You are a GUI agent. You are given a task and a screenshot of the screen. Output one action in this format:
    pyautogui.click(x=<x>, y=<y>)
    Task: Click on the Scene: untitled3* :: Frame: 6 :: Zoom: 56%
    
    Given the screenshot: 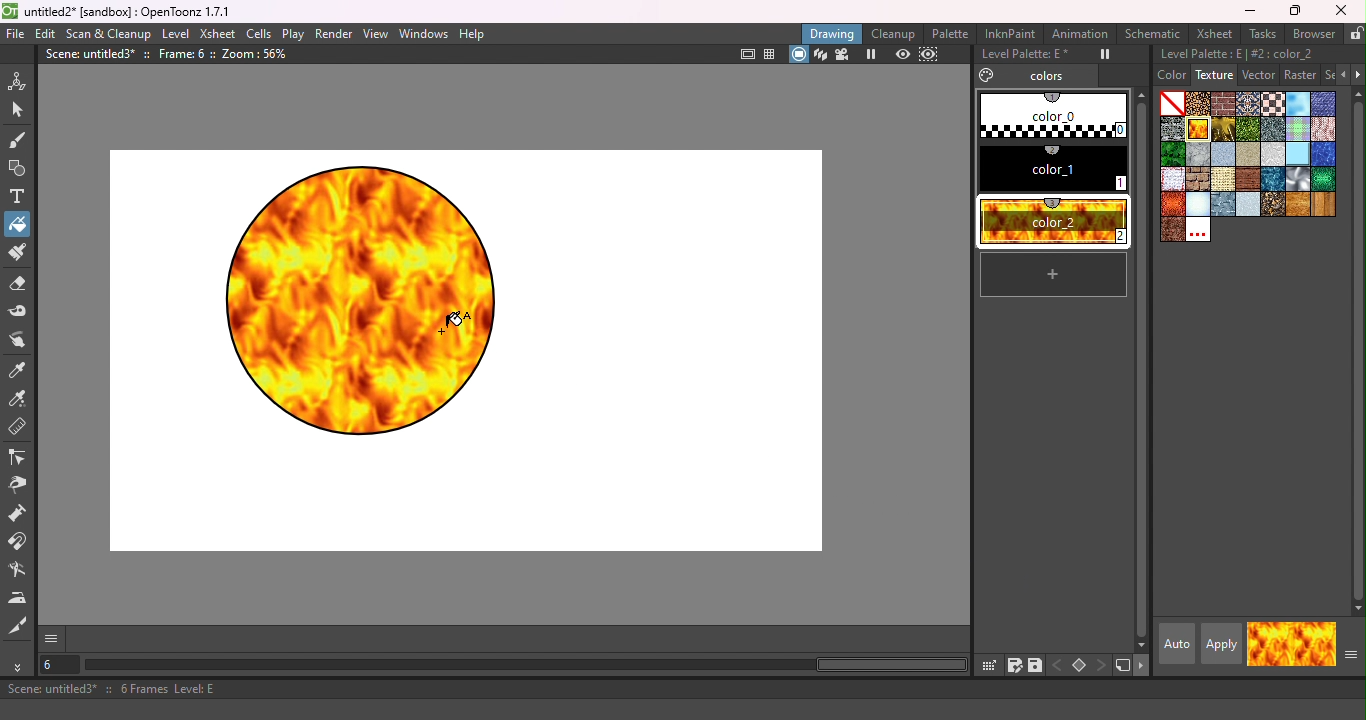 What is the action you would take?
    pyautogui.click(x=168, y=54)
    